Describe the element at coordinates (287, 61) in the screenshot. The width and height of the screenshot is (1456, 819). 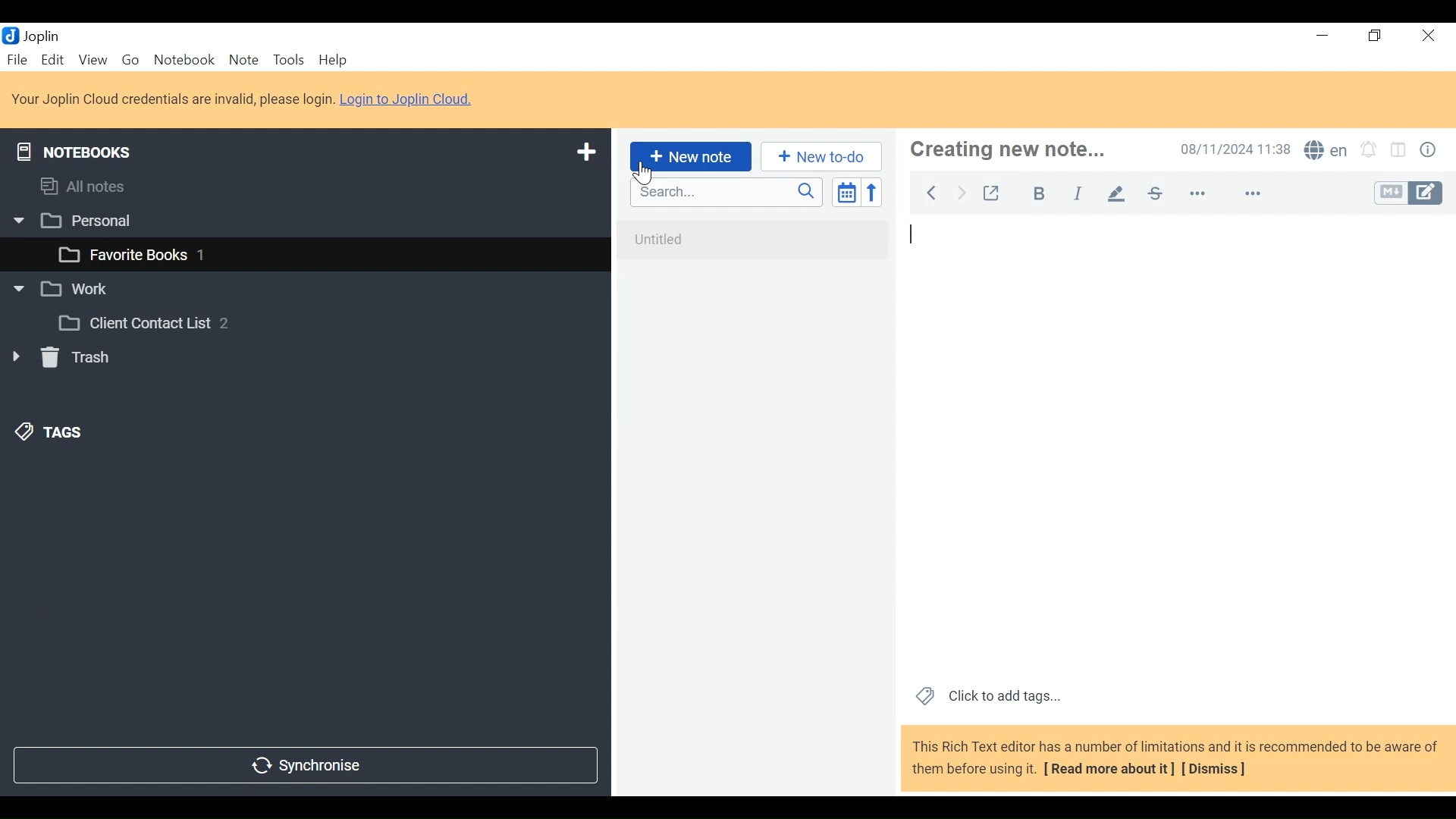
I see `Tools` at that location.